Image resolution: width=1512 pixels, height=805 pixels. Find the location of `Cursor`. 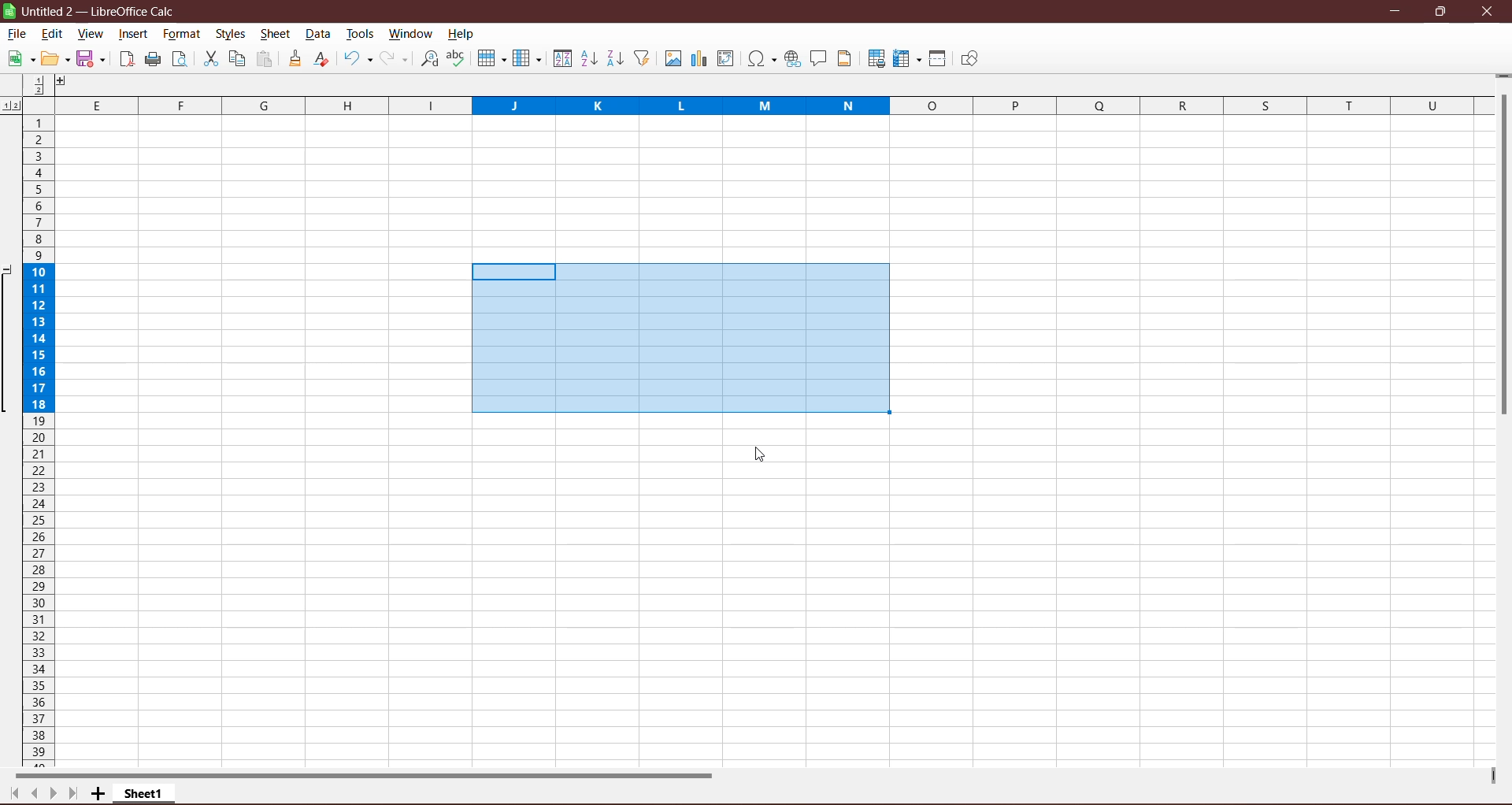

Cursor is located at coordinates (759, 456).